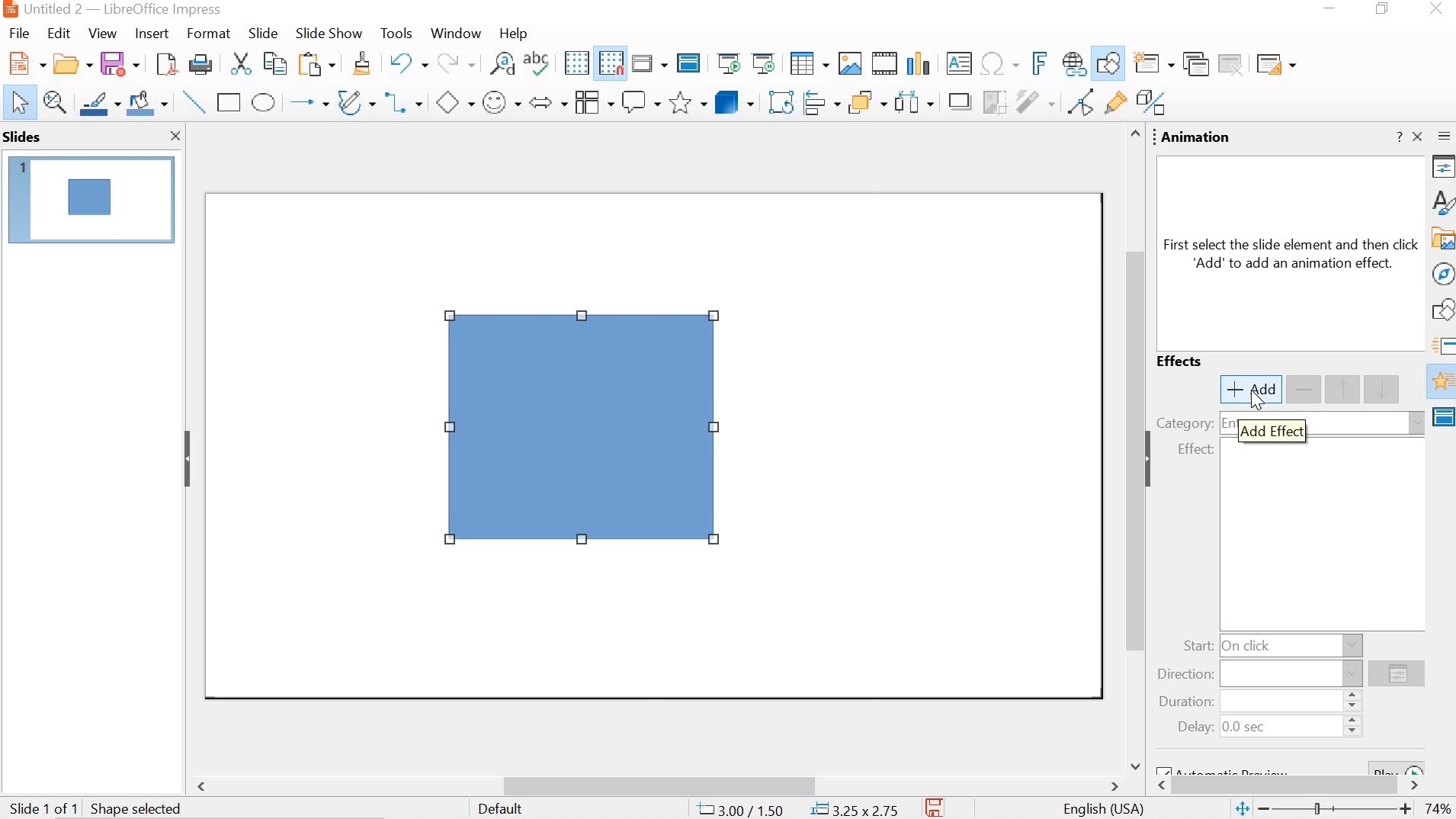  What do you see at coordinates (53, 101) in the screenshot?
I see `zoom & pan` at bounding box center [53, 101].